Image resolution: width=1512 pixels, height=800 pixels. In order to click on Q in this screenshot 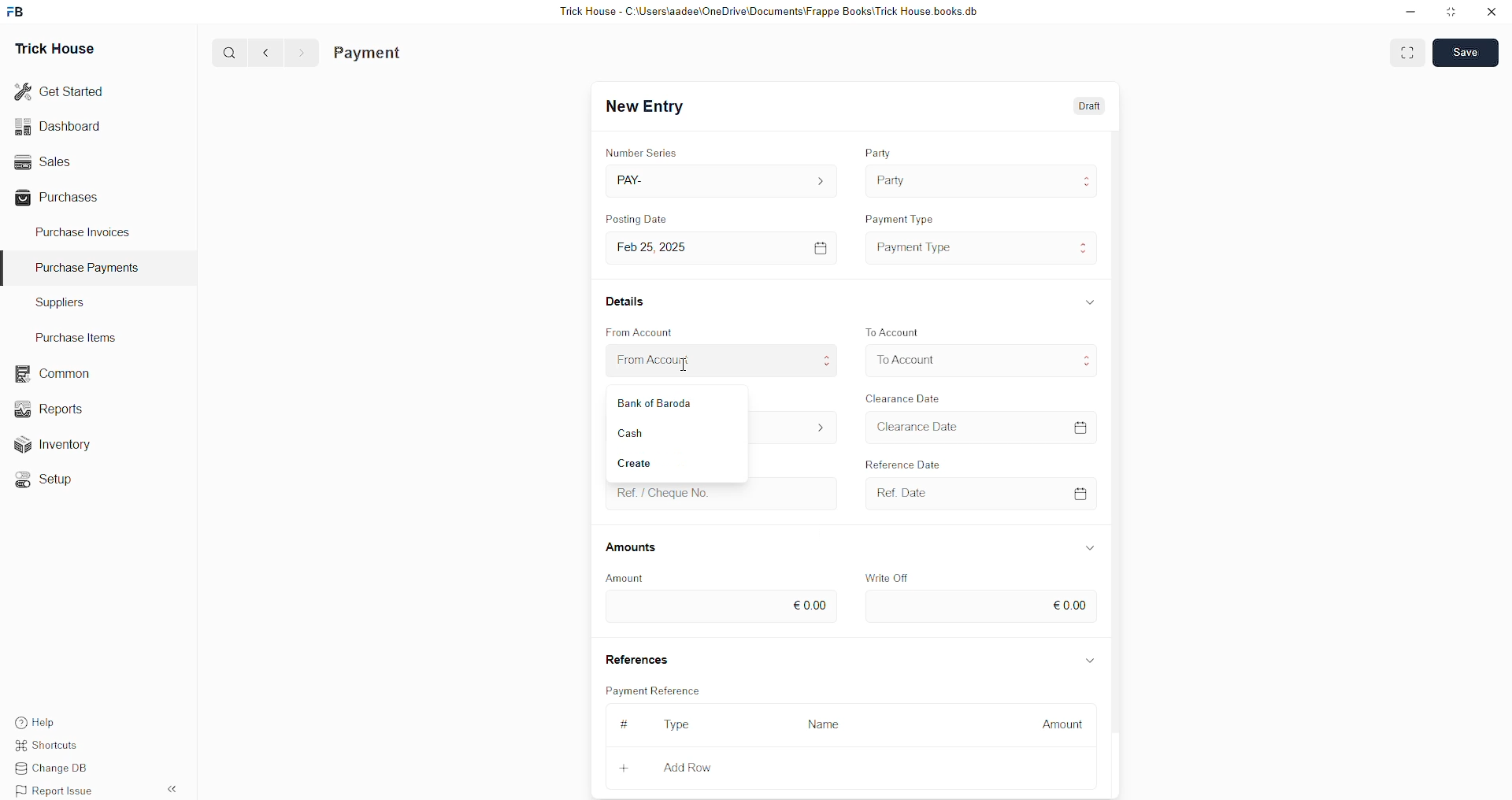, I will do `click(224, 51)`.